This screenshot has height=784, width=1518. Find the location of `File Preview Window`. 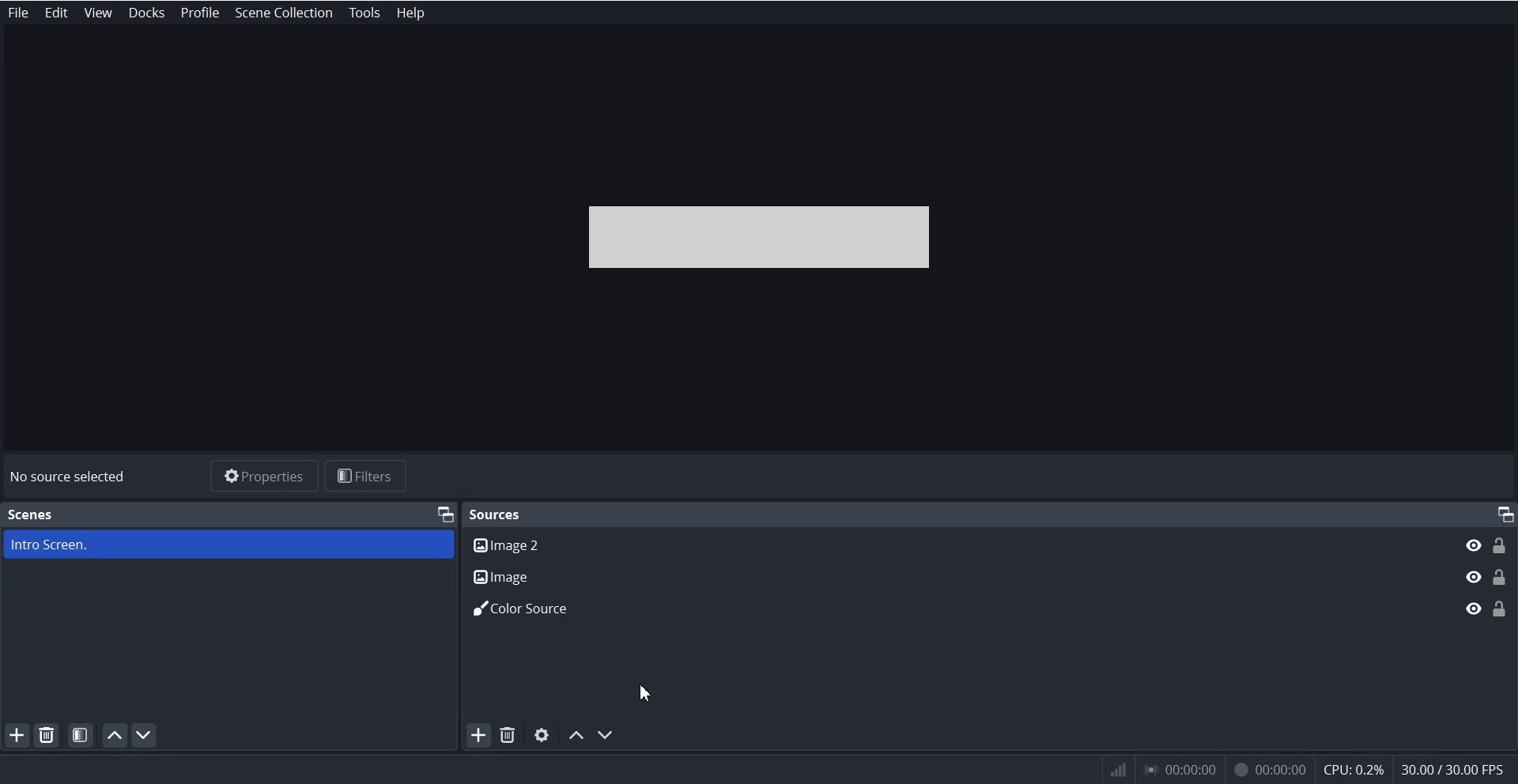

File Preview Window is located at coordinates (765, 236).